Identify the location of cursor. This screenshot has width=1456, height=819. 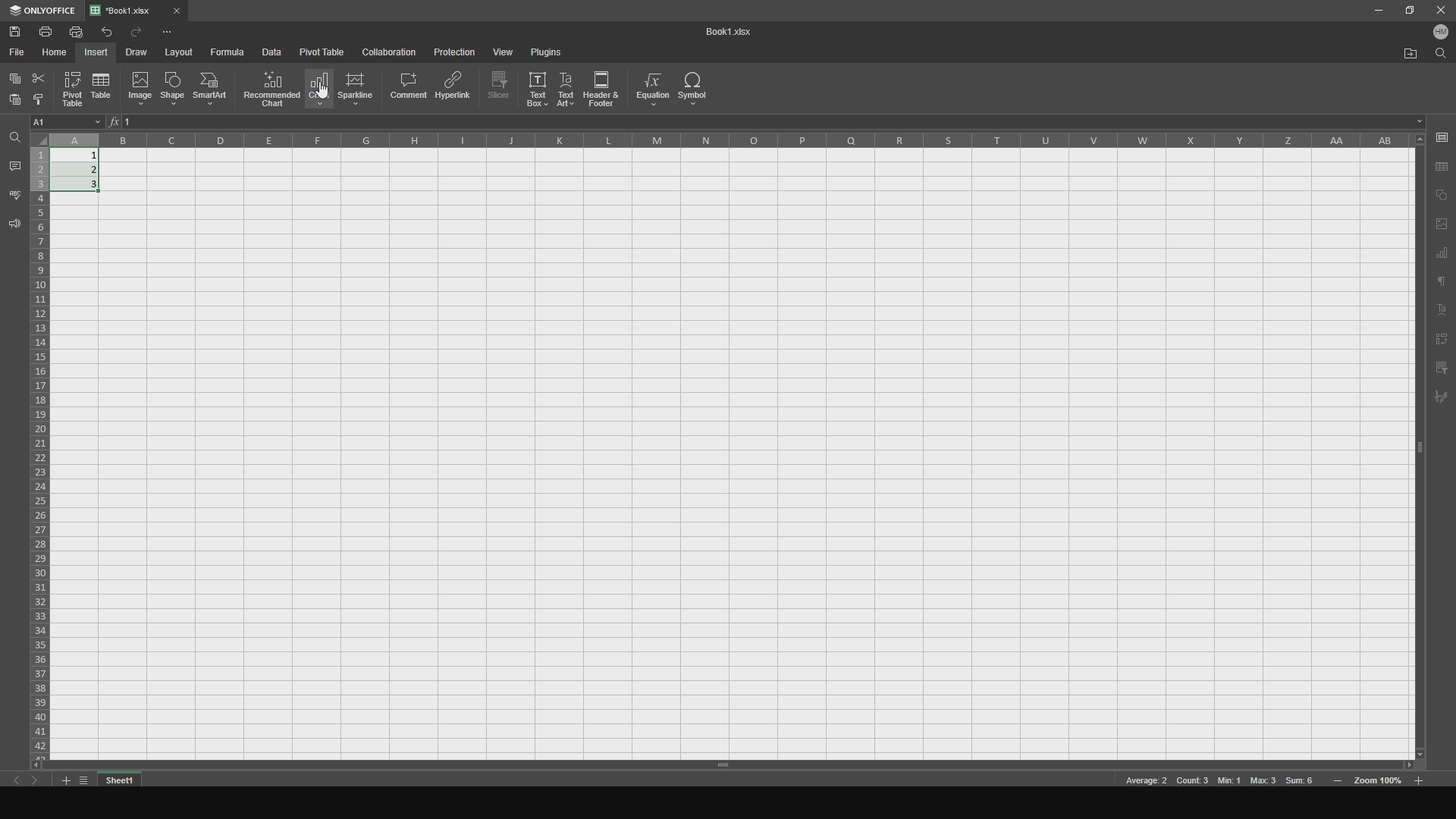
(329, 93).